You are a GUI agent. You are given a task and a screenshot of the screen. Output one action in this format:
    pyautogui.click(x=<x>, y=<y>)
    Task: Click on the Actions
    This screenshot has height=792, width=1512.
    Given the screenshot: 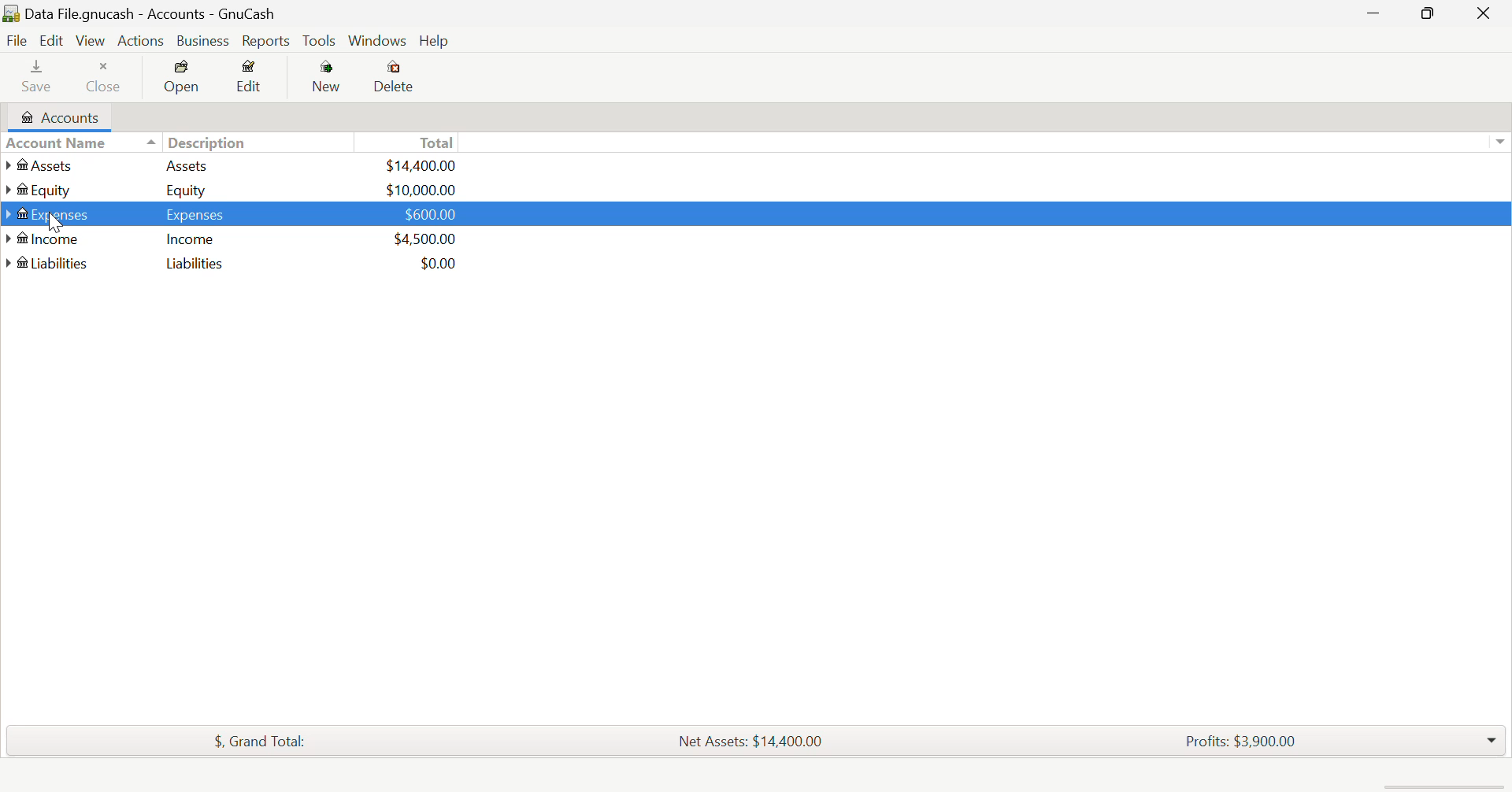 What is the action you would take?
    pyautogui.click(x=142, y=41)
    